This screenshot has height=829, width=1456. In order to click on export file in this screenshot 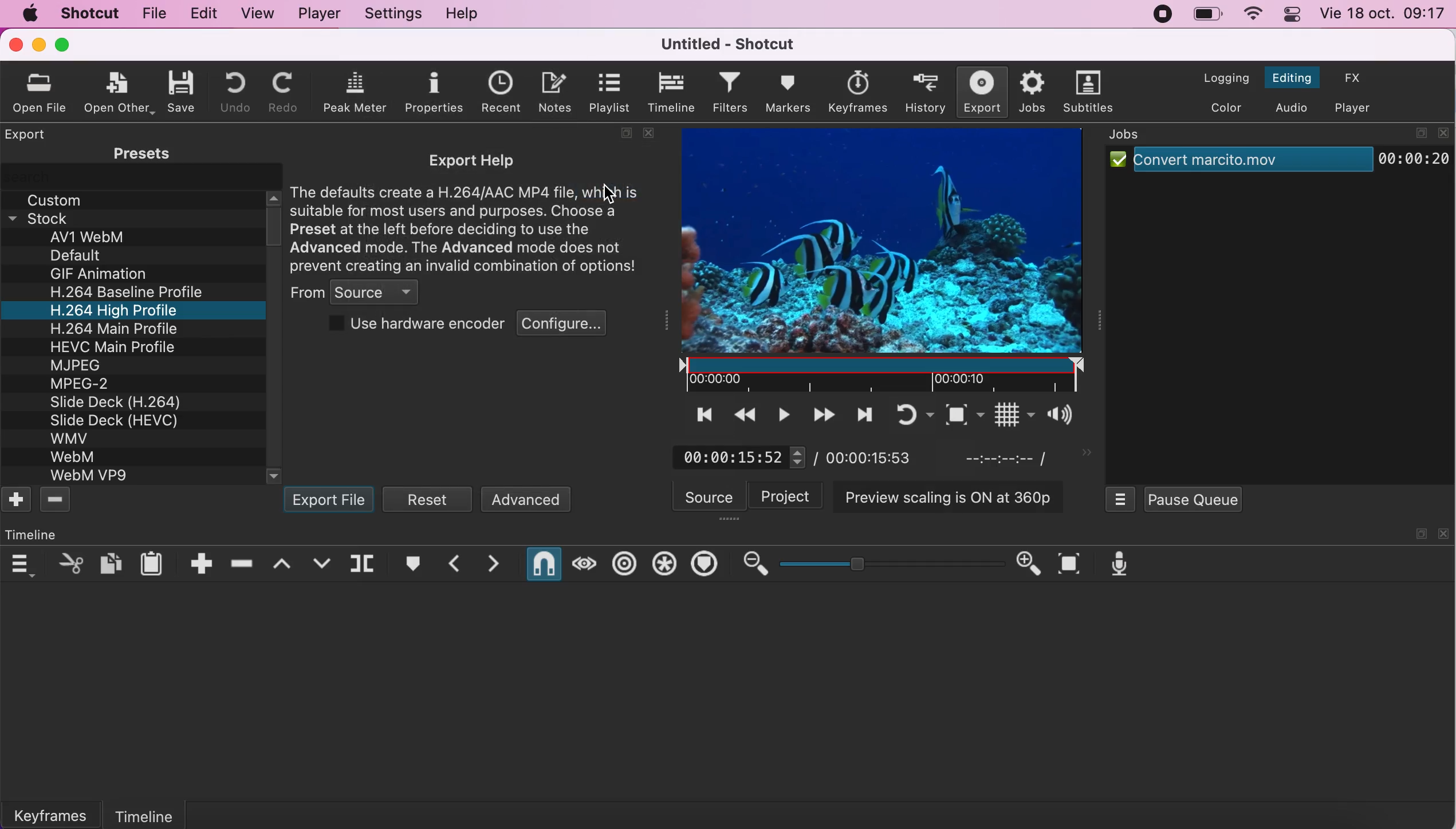, I will do `click(330, 500)`.